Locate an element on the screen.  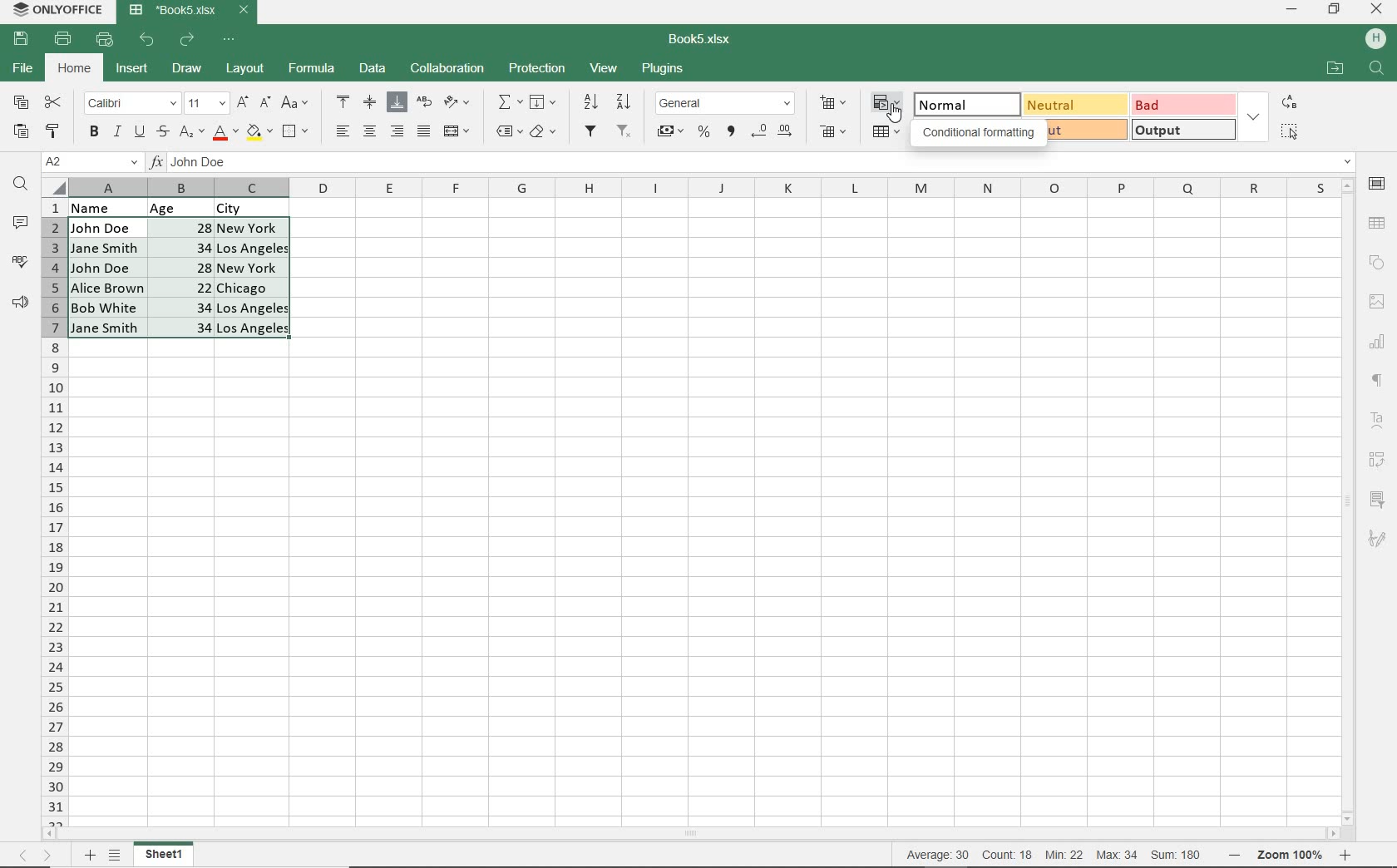
PLUGINS is located at coordinates (664, 70).